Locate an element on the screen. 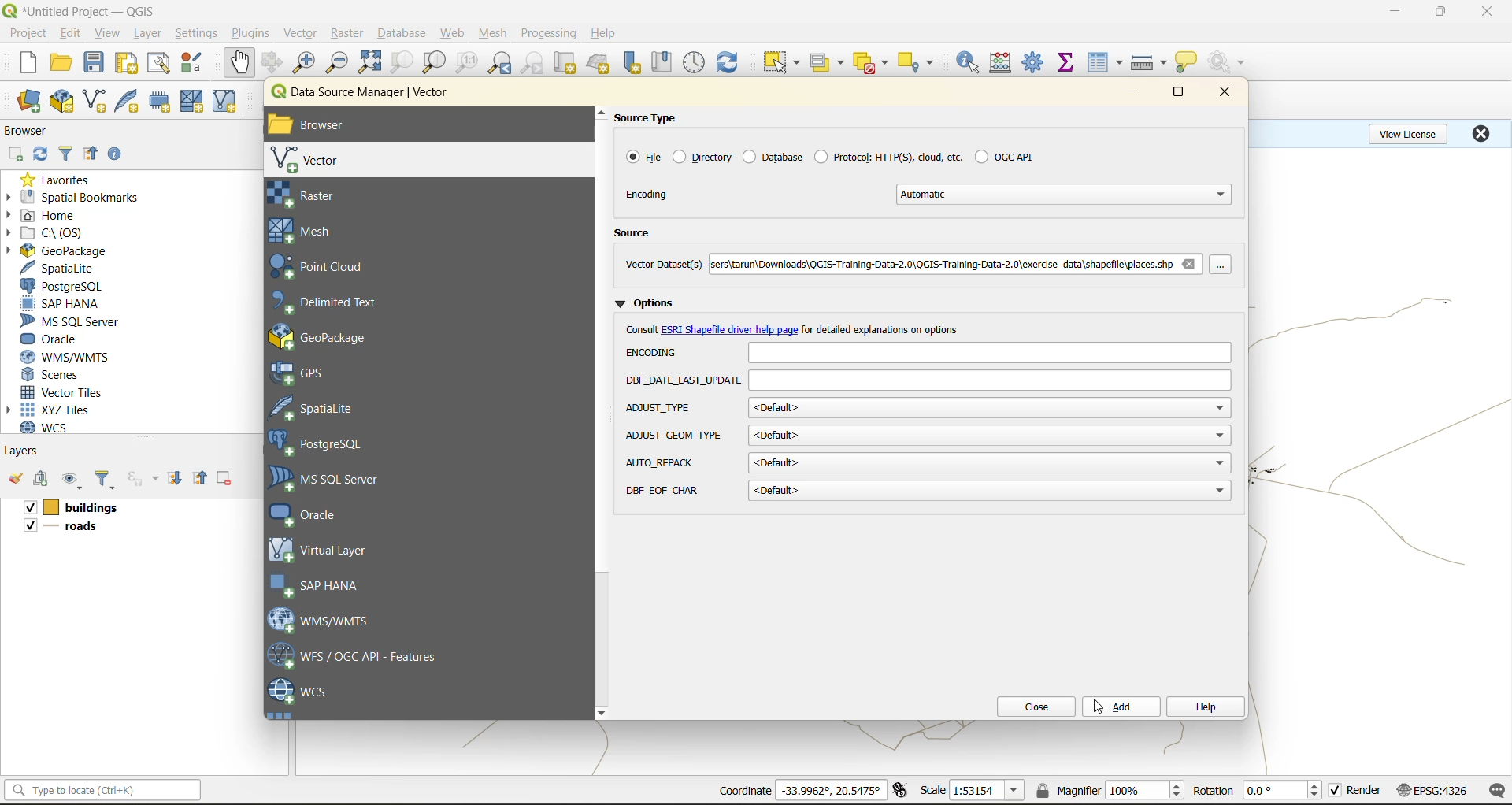  pan to selection is located at coordinates (272, 64).